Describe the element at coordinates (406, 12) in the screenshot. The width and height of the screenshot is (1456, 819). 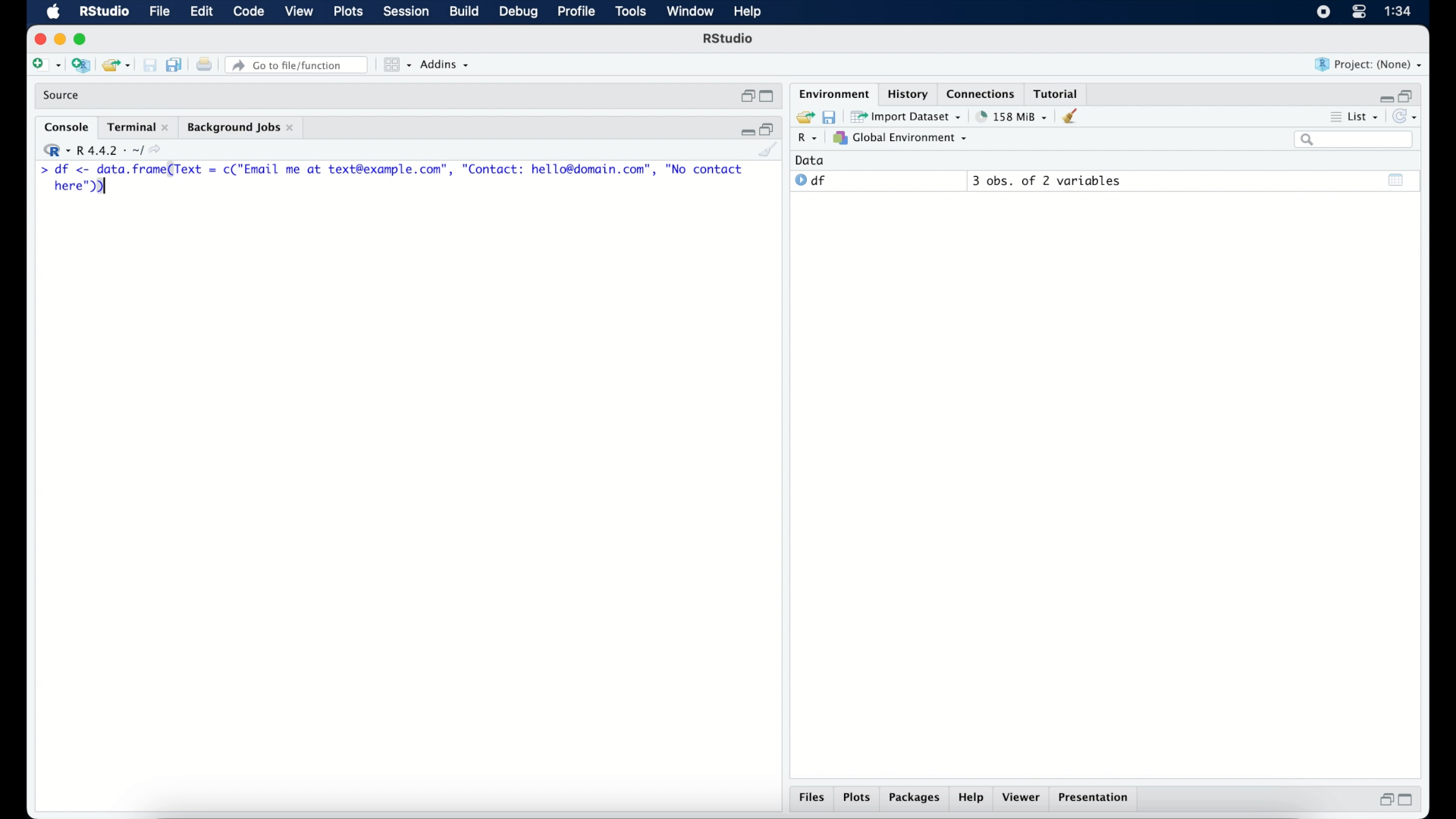
I see `session` at that location.